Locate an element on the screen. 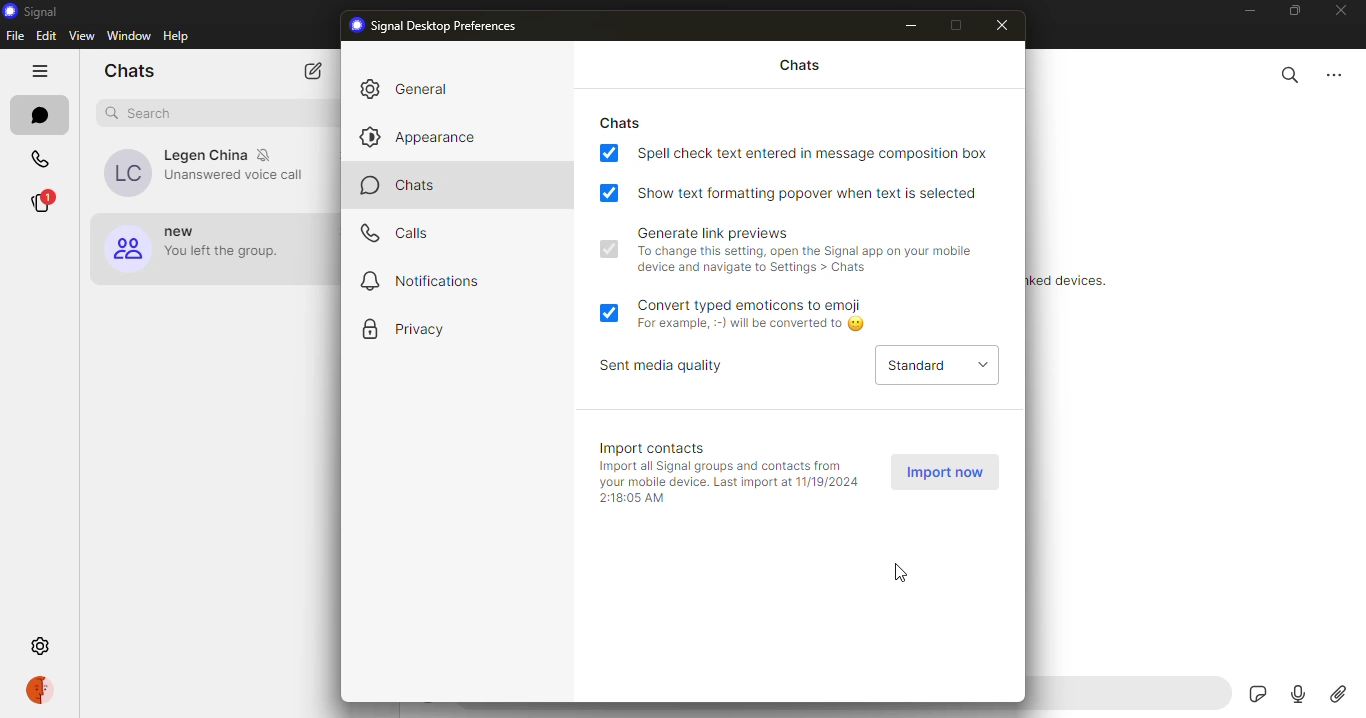 This screenshot has height=718, width=1366. chats is located at coordinates (40, 116).